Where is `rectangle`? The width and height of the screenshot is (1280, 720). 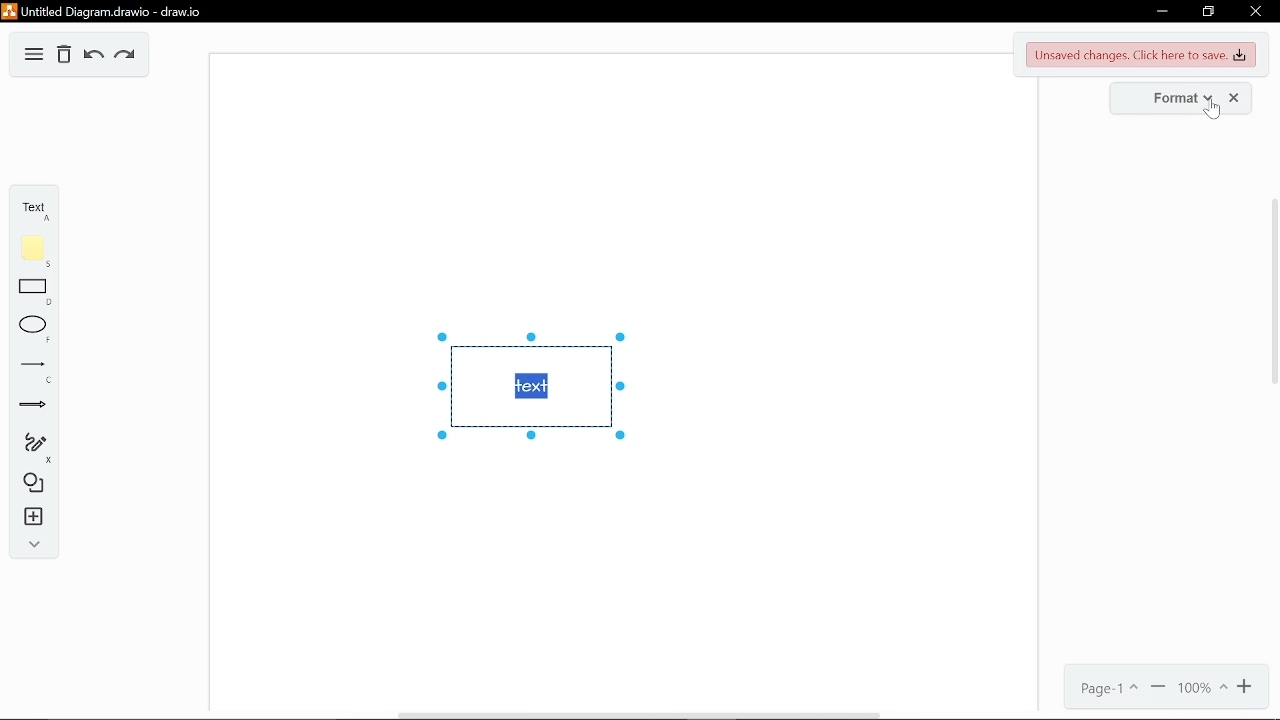 rectangle is located at coordinates (28, 292).